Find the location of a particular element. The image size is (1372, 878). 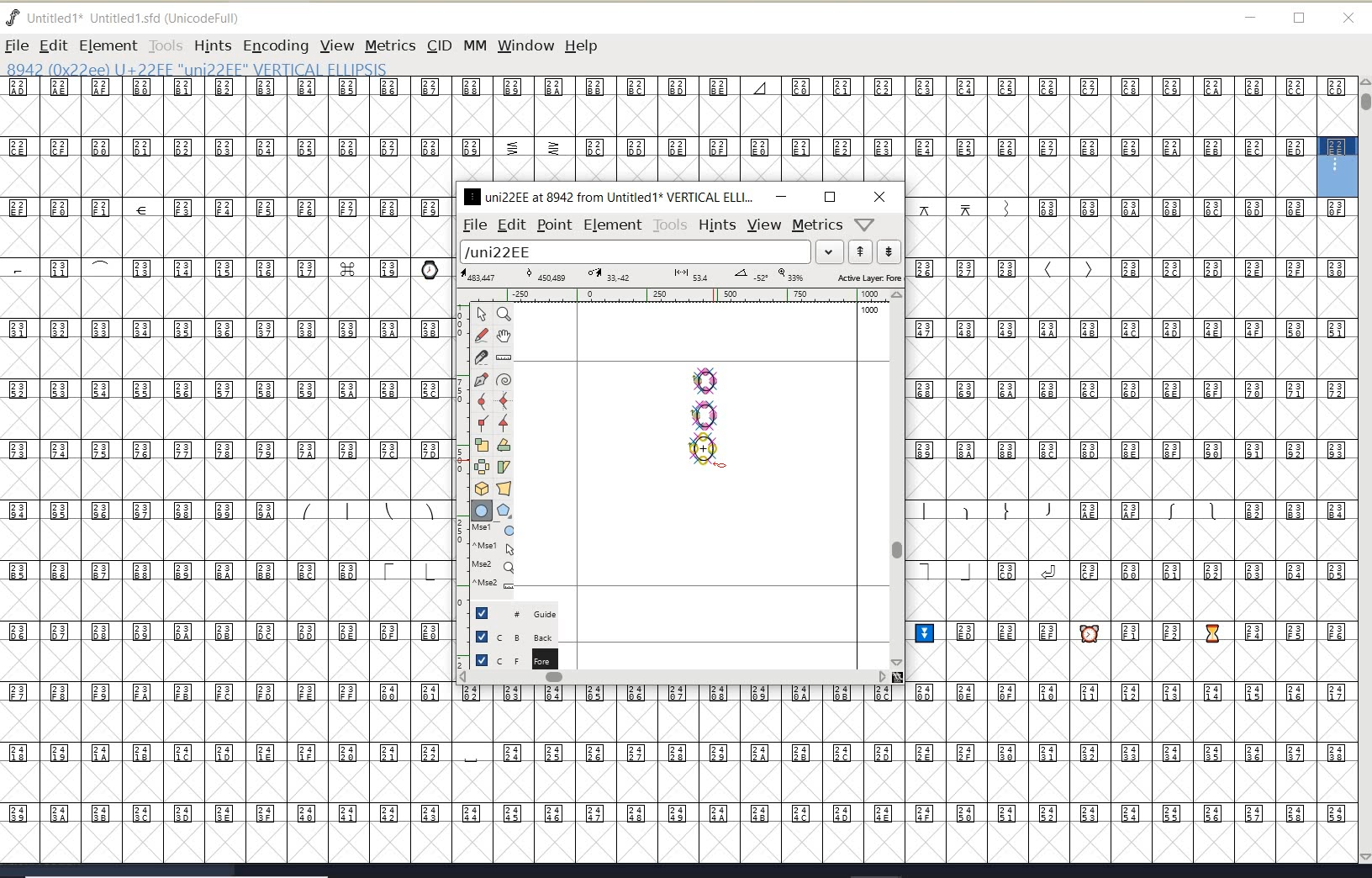

SCROLLBAR is located at coordinates (1364, 472).